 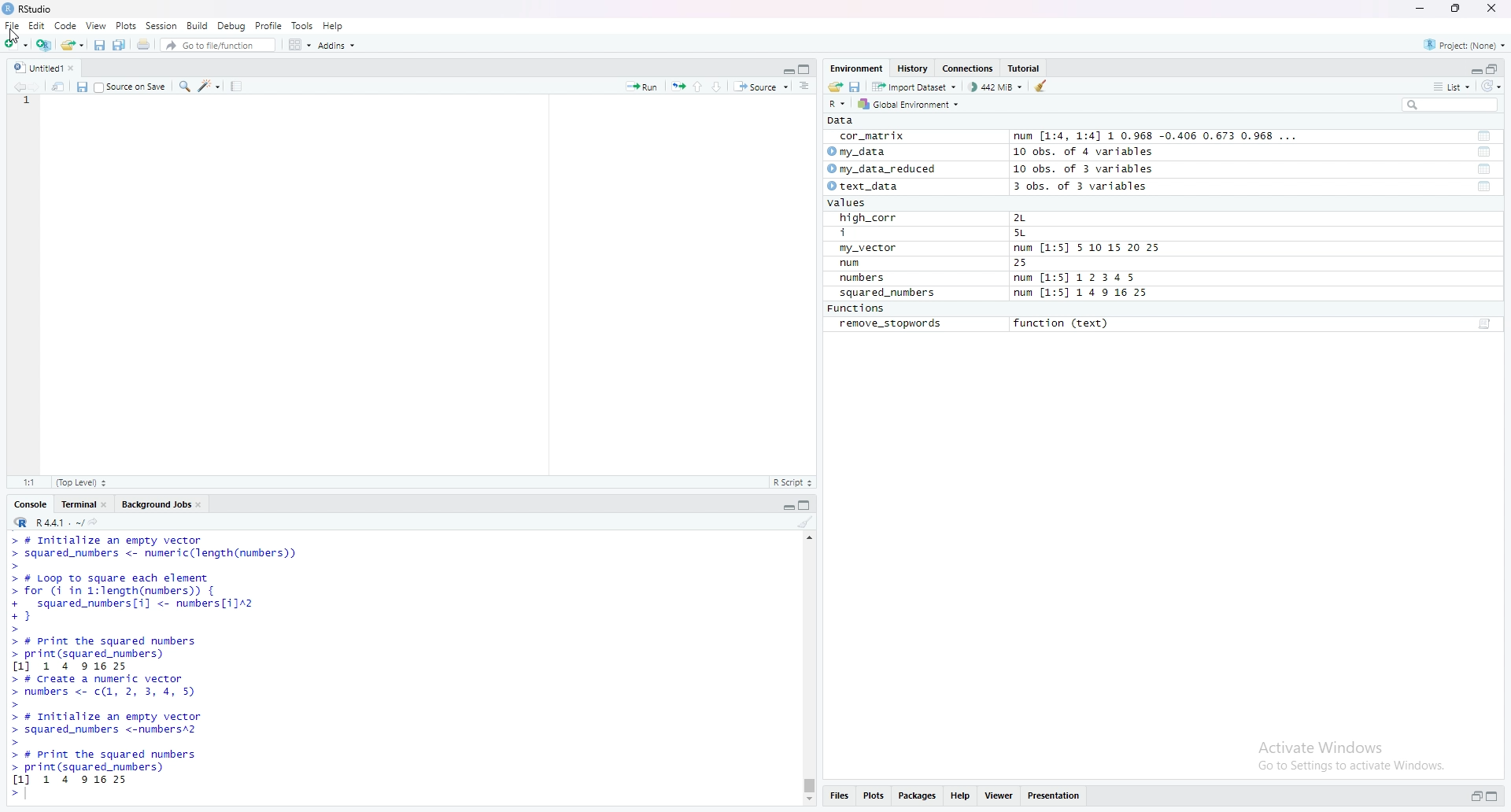 What do you see at coordinates (71, 45) in the screenshot?
I see `open an existing file` at bounding box center [71, 45].